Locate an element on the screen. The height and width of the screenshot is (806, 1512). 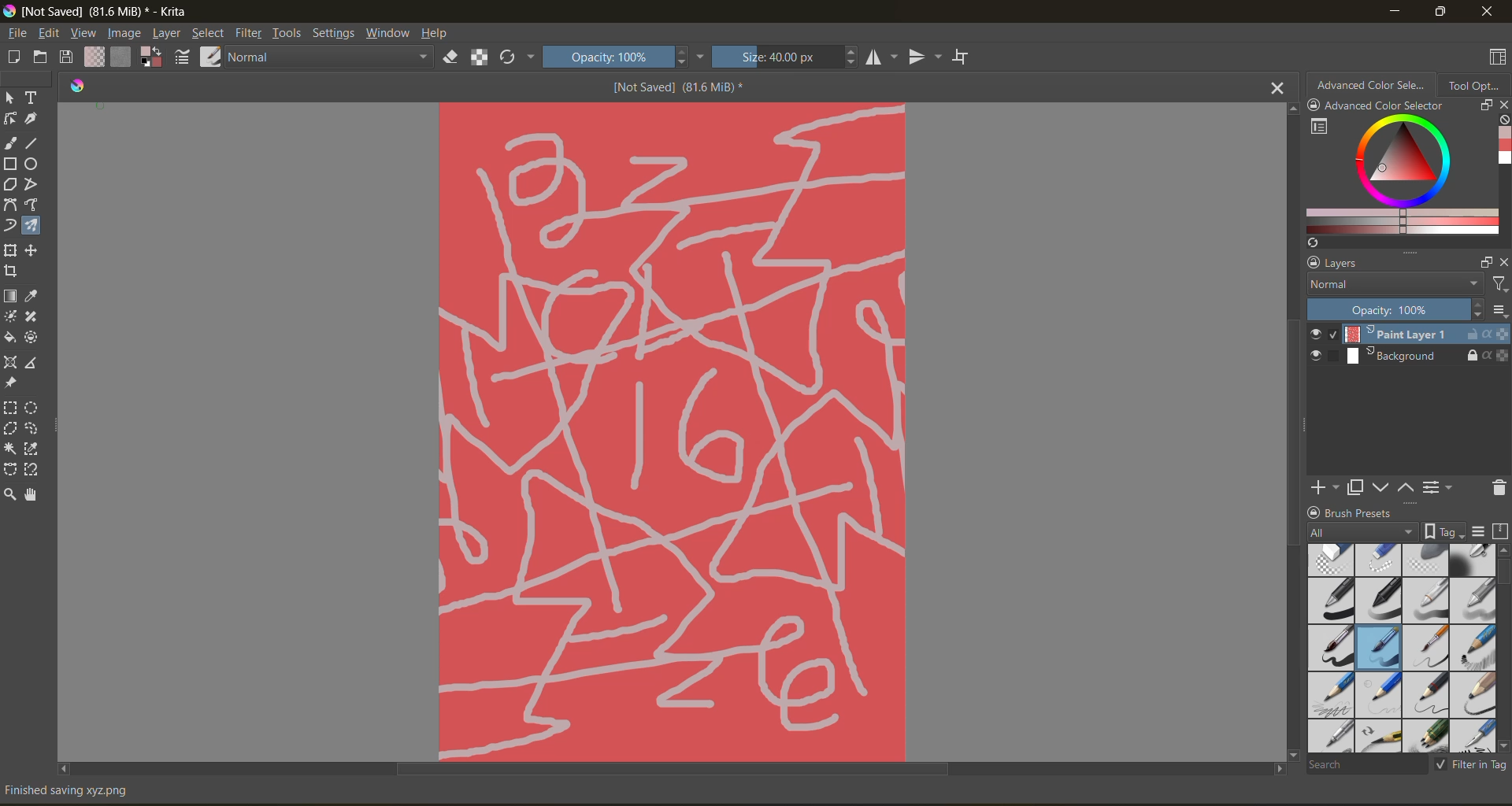
close is located at coordinates (1503, 262).